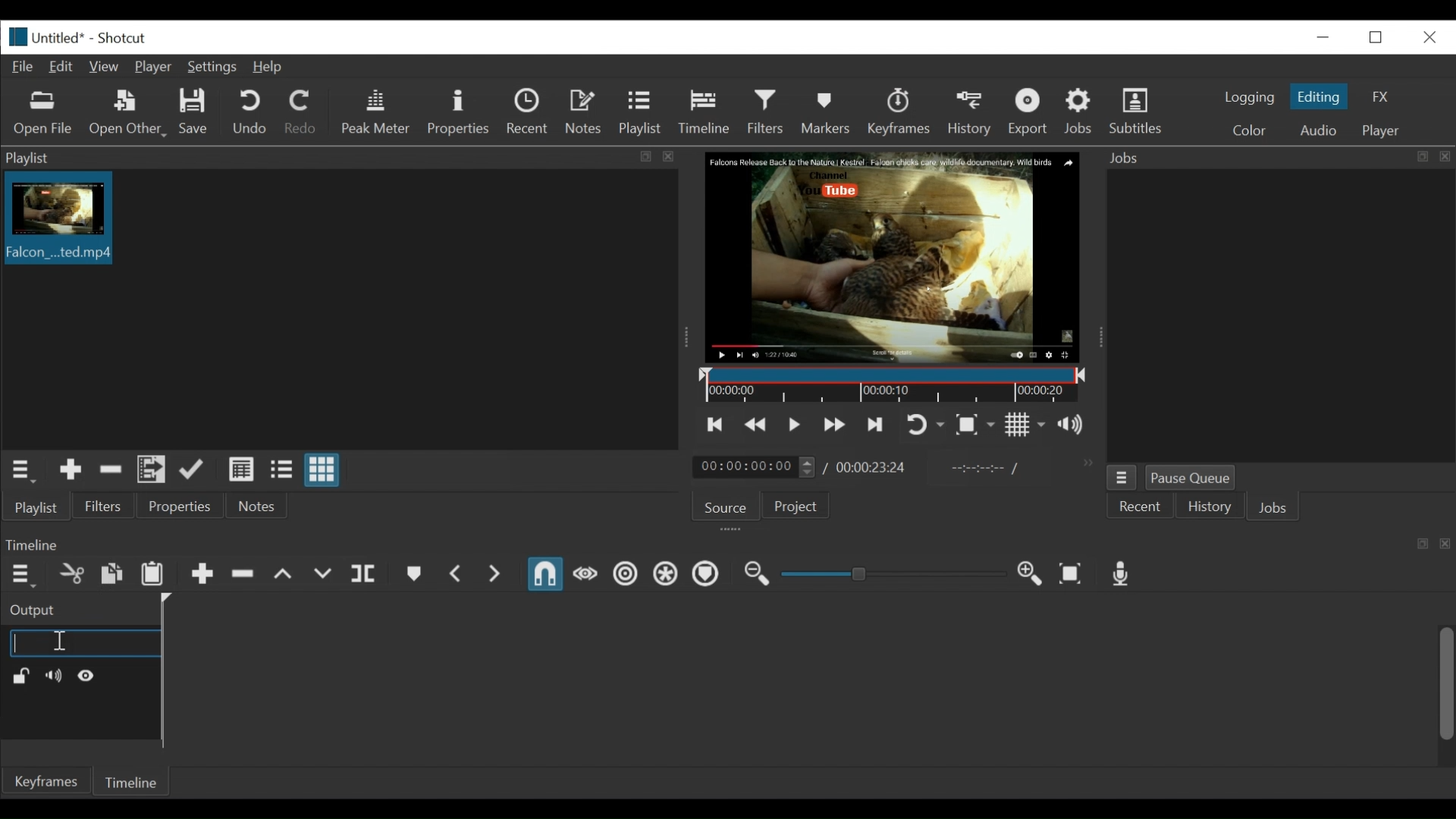 The image size is (1456, 819). I want to click on Playlist, so click(644, 115).